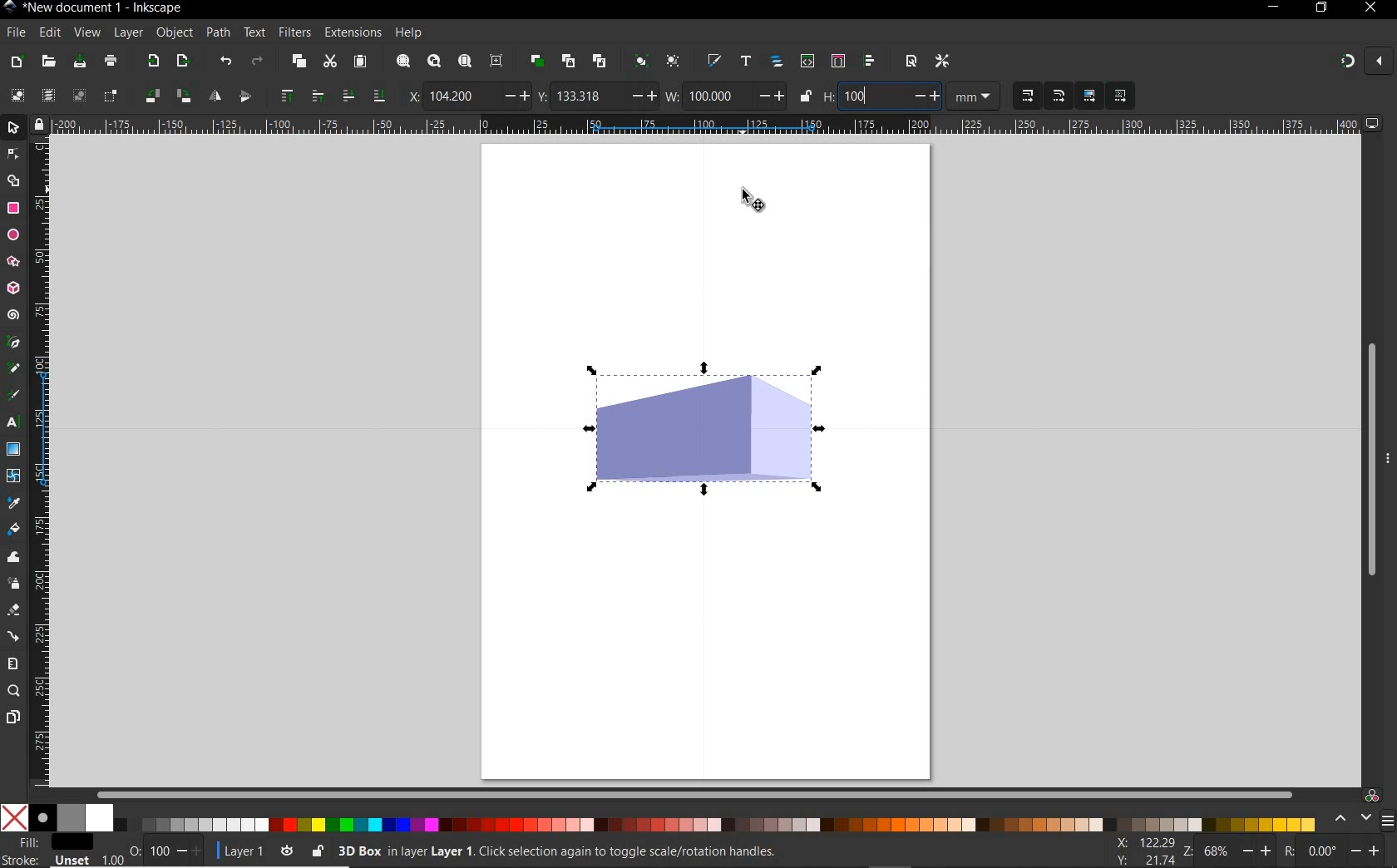 The height and width of the screenshot is (868, 1397). Describe the element at coordinates (14, 477) in the screenshot. I see `mesh tool` at that location.